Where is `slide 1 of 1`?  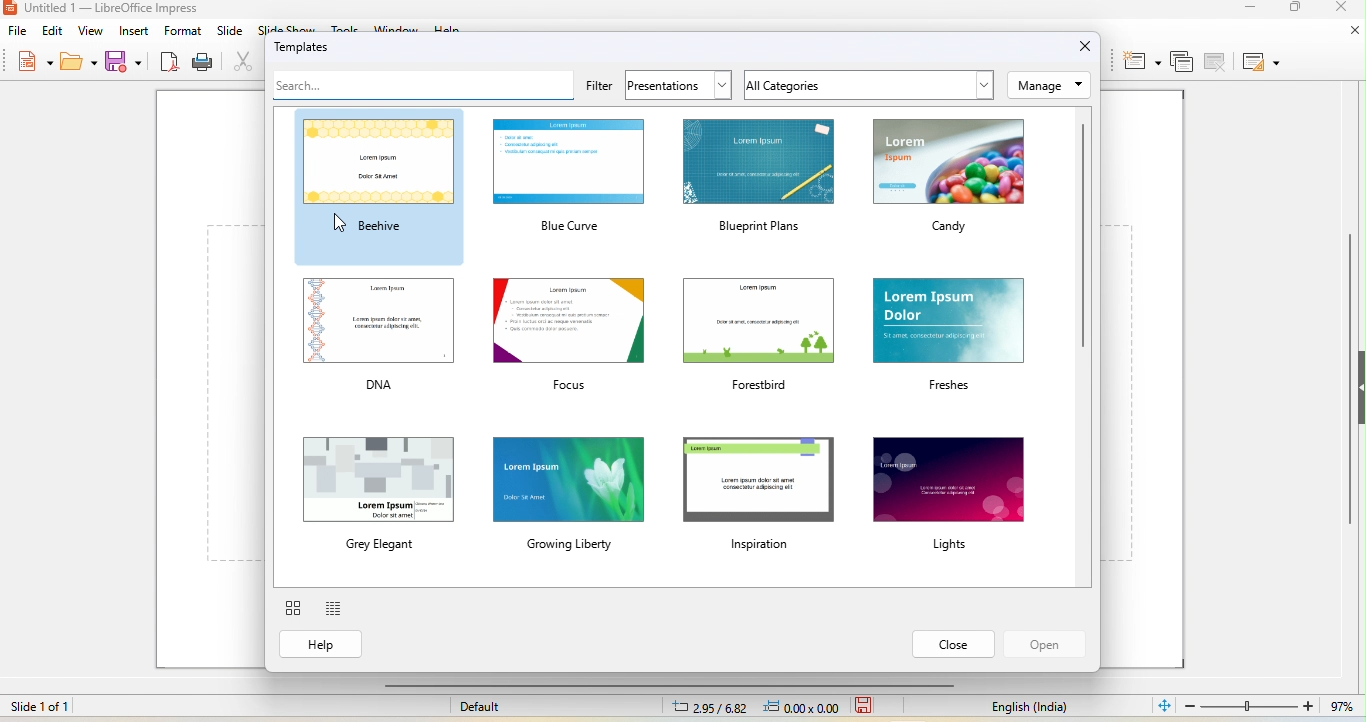 slide 1 of 1 is located at coordinates (90, 710).